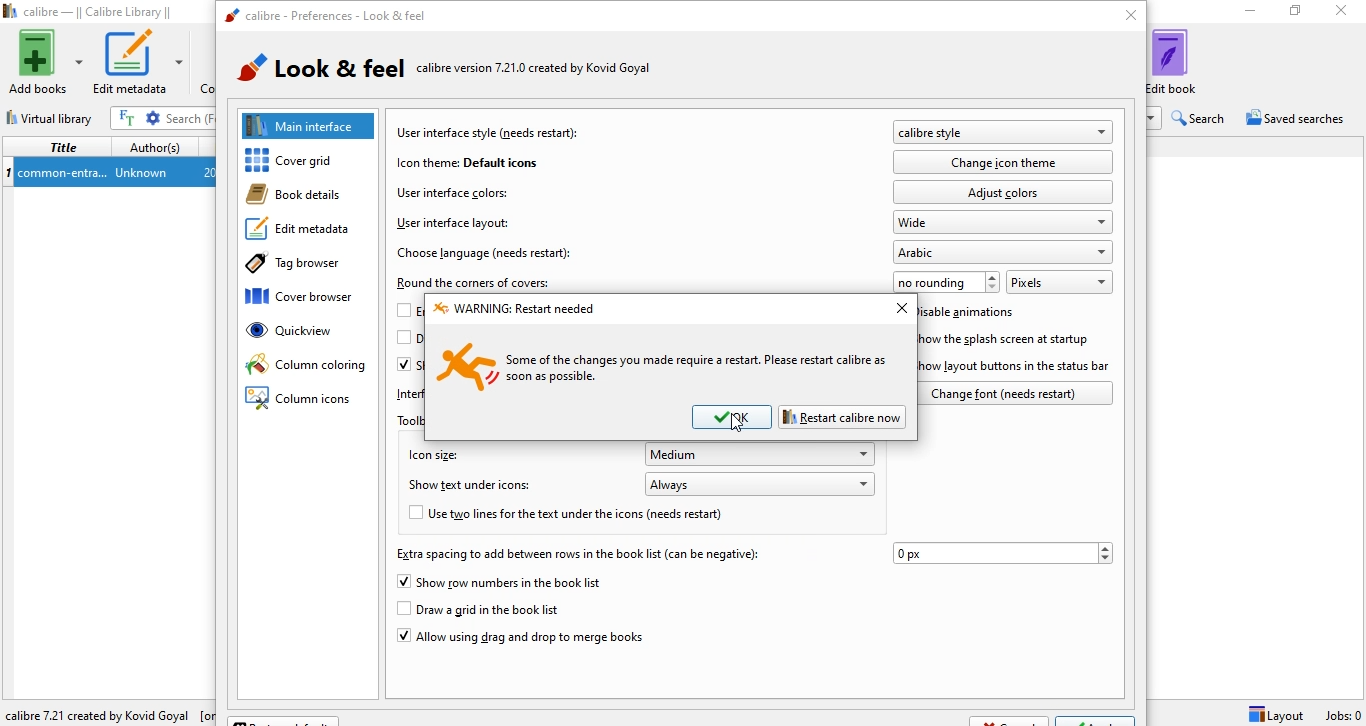  Describe the element at coordinates (1341, 715) in the screenshot. I see `Jobs: 0` at that location.